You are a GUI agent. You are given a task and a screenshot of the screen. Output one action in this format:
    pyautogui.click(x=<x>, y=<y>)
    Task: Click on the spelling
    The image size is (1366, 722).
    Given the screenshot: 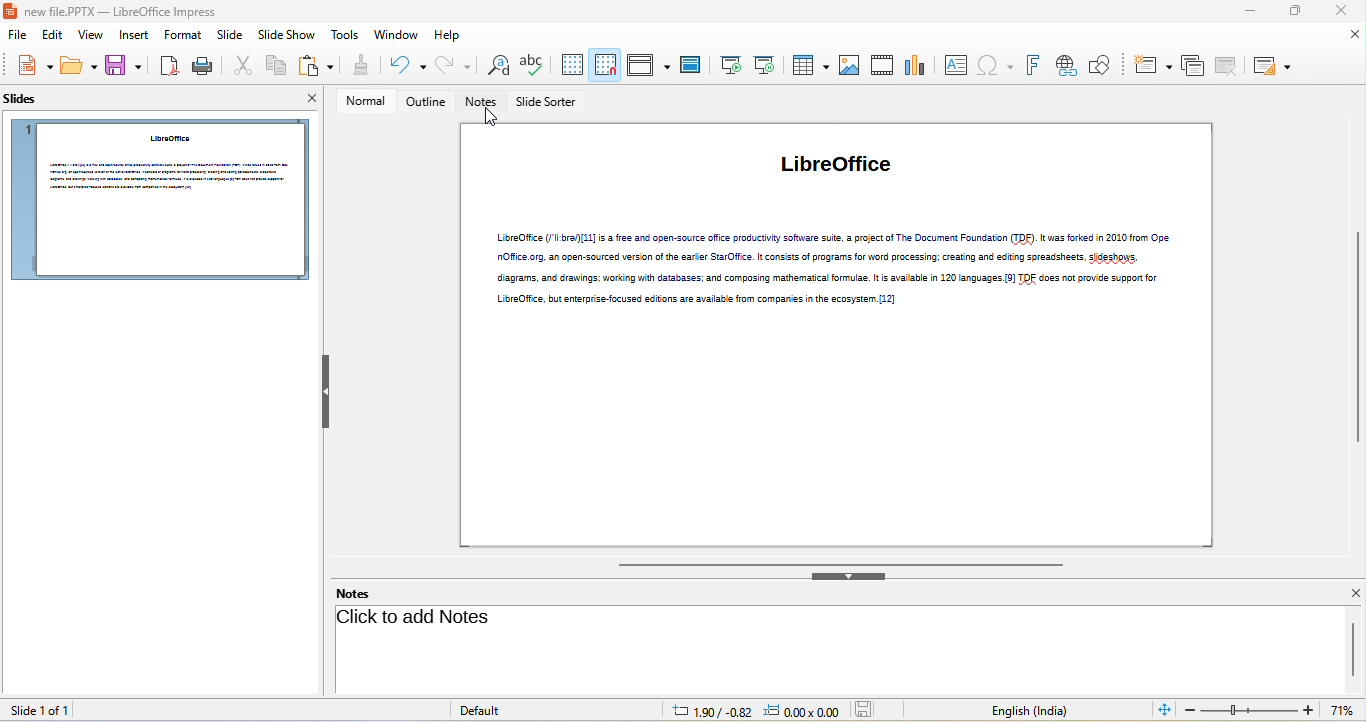 What is the action you would take?
    pyautogui.click(x=532, y=66)
    